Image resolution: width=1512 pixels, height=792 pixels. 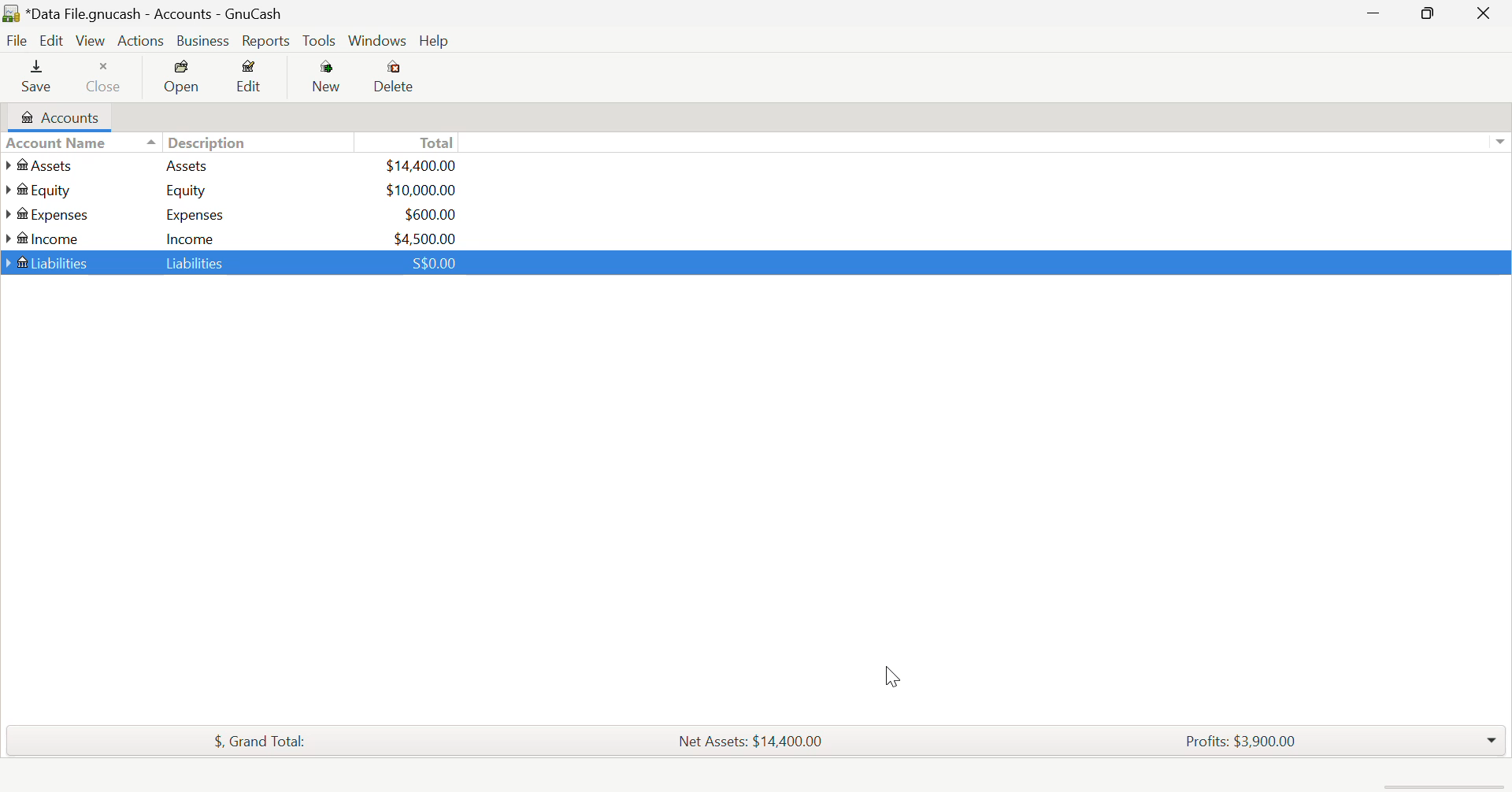 I want to click on Income, so click(x=191, y=238).